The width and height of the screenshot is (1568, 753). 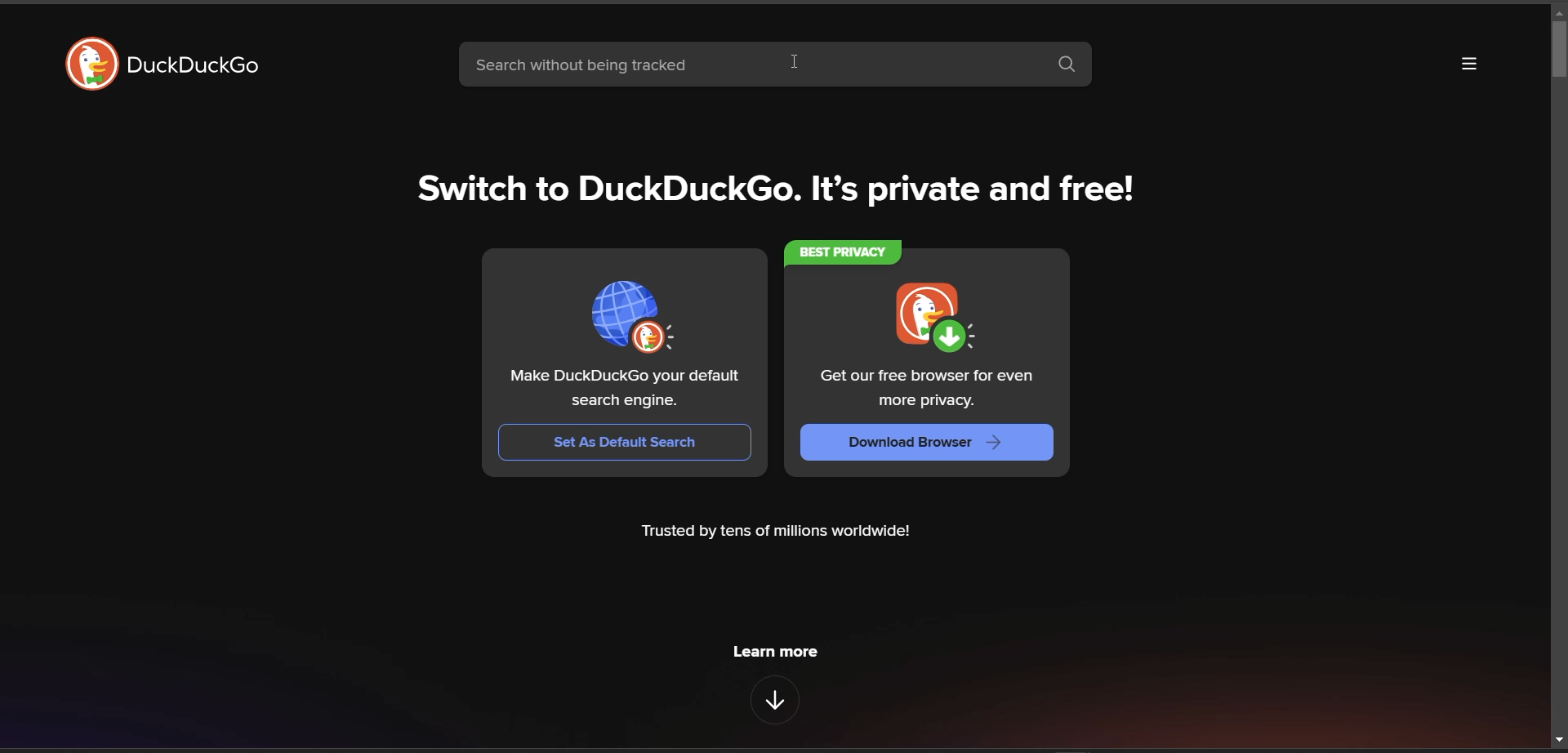 I want to click on more options, so click(x=1470, y=67).